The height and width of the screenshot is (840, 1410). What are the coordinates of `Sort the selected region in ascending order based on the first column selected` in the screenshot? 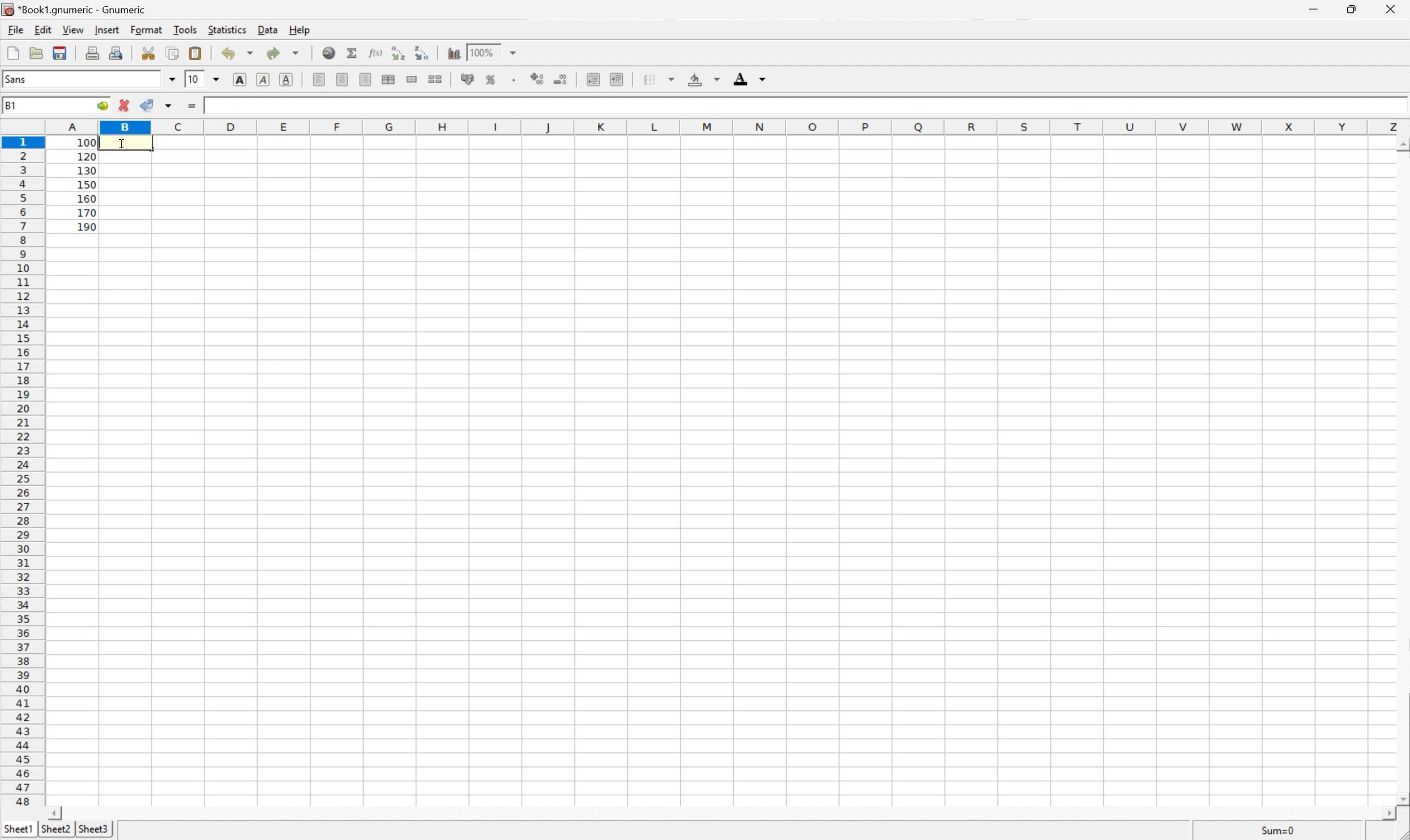 It's located at (399, 53).